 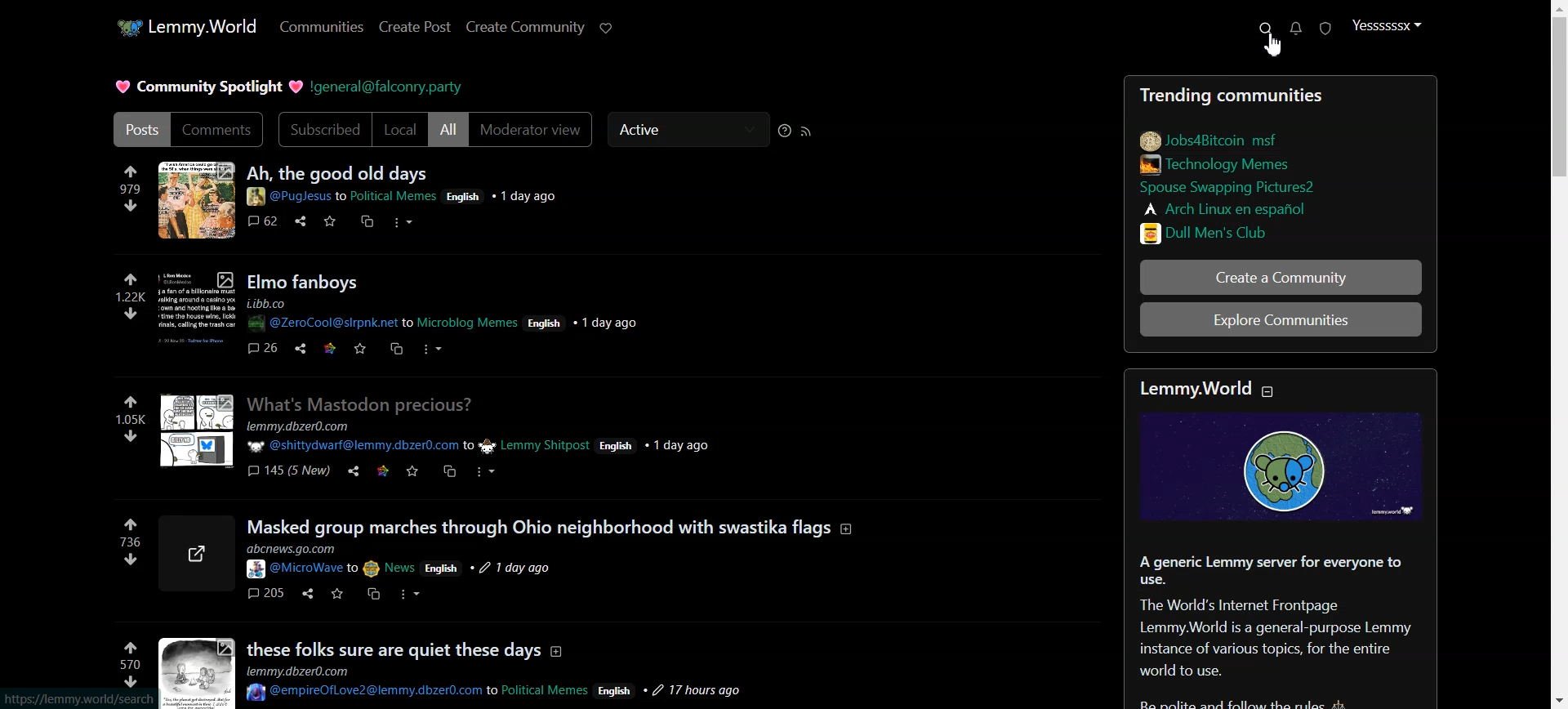 What do you see at coordinates (261, 348) in the screenshot?
I see `comments` at bounding box center [261, 348].